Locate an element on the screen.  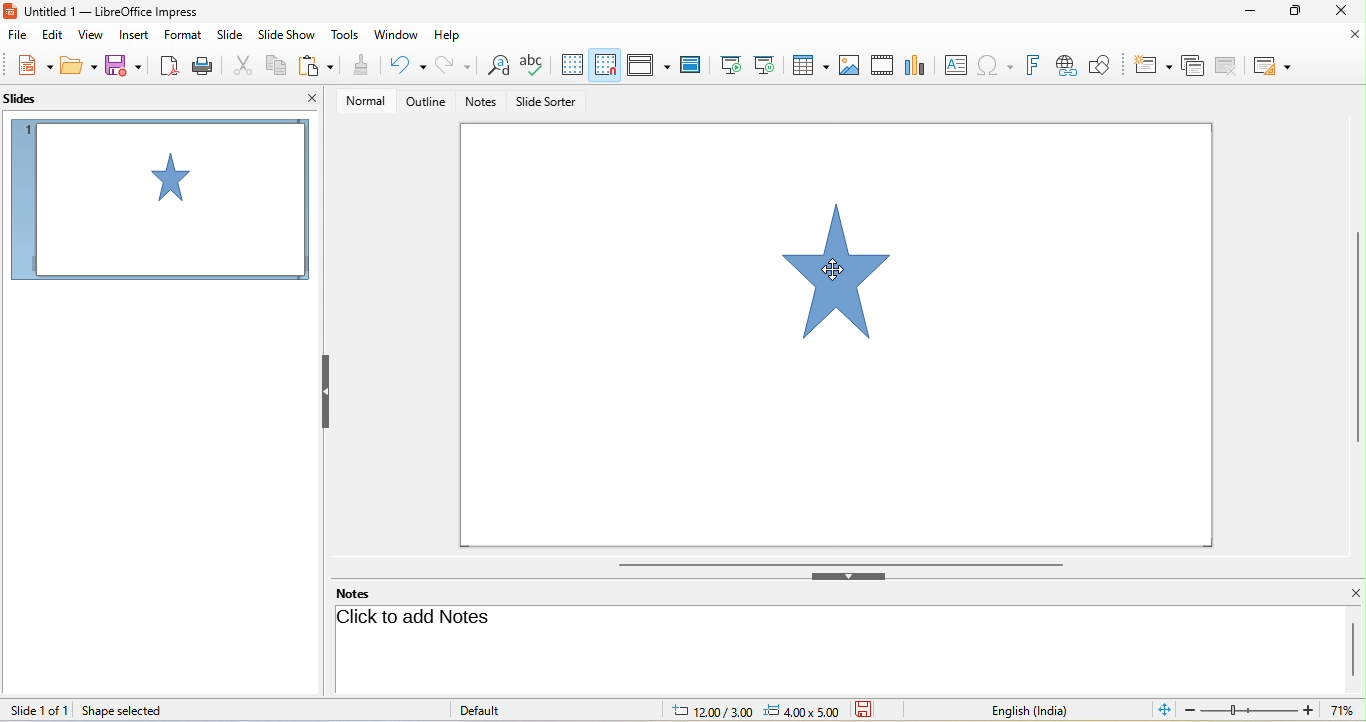
clone formatting is located at coordinates (360, 64).